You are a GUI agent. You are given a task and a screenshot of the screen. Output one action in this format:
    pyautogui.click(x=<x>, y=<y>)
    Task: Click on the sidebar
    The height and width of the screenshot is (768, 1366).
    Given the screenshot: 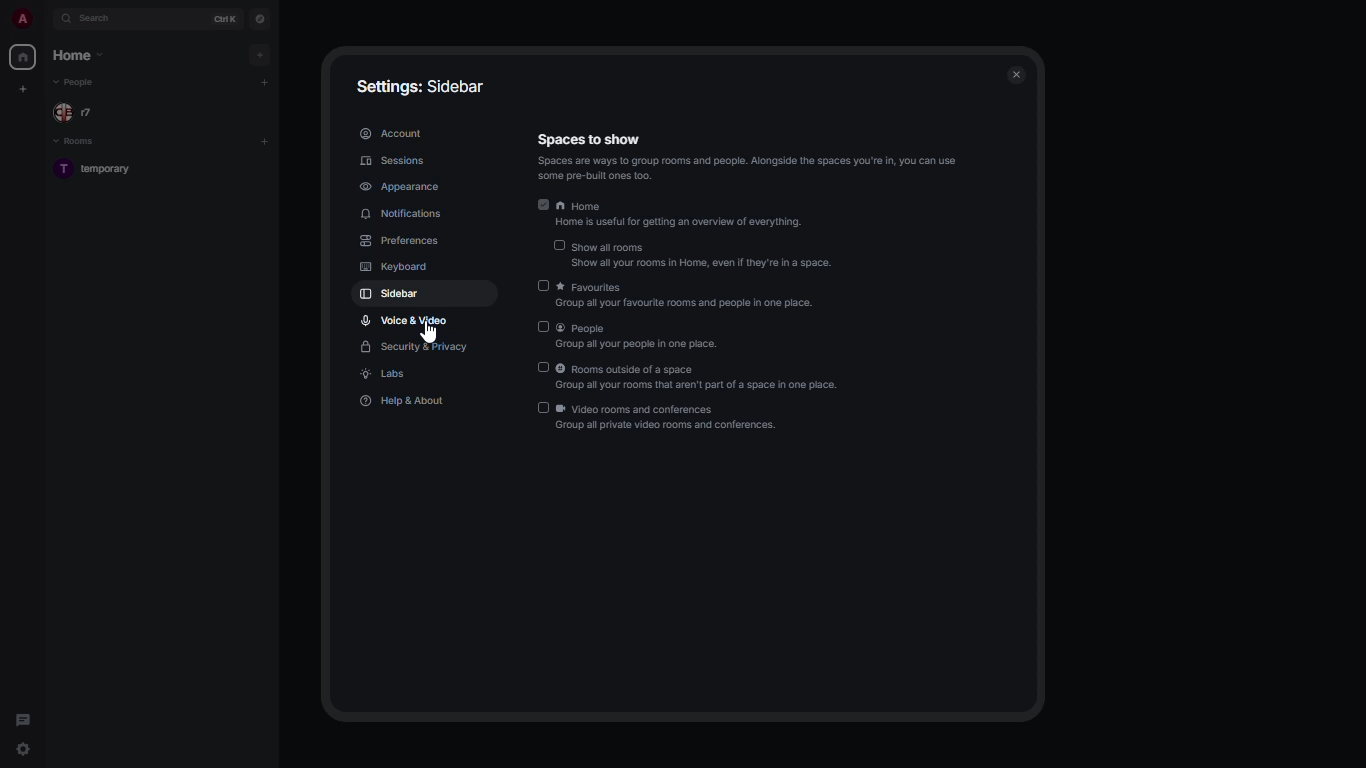 What is the action you would take?
    pyautogui.click(x=390, y=293)
    